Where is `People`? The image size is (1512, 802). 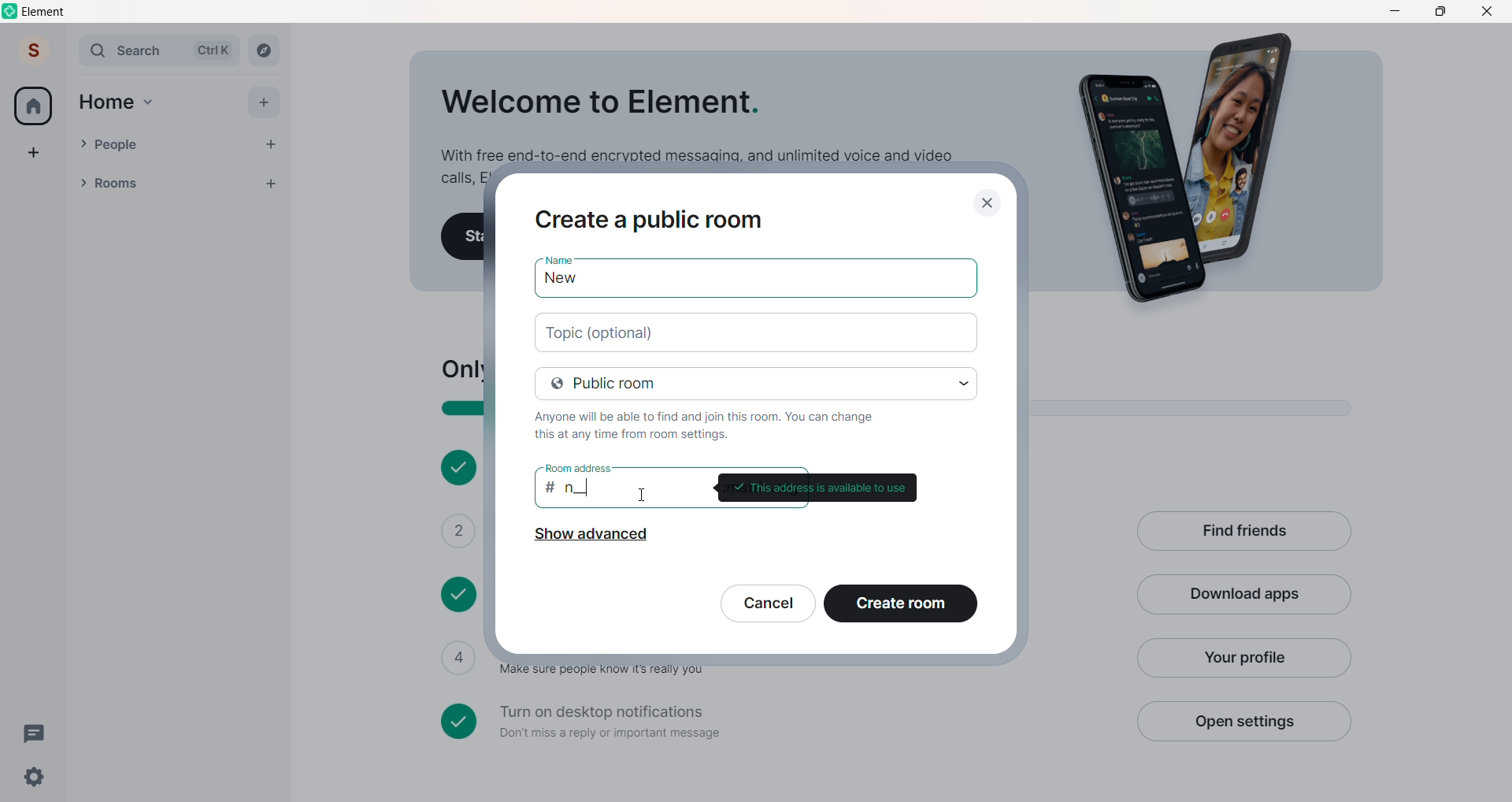 People is located at coordinates (172, 145).